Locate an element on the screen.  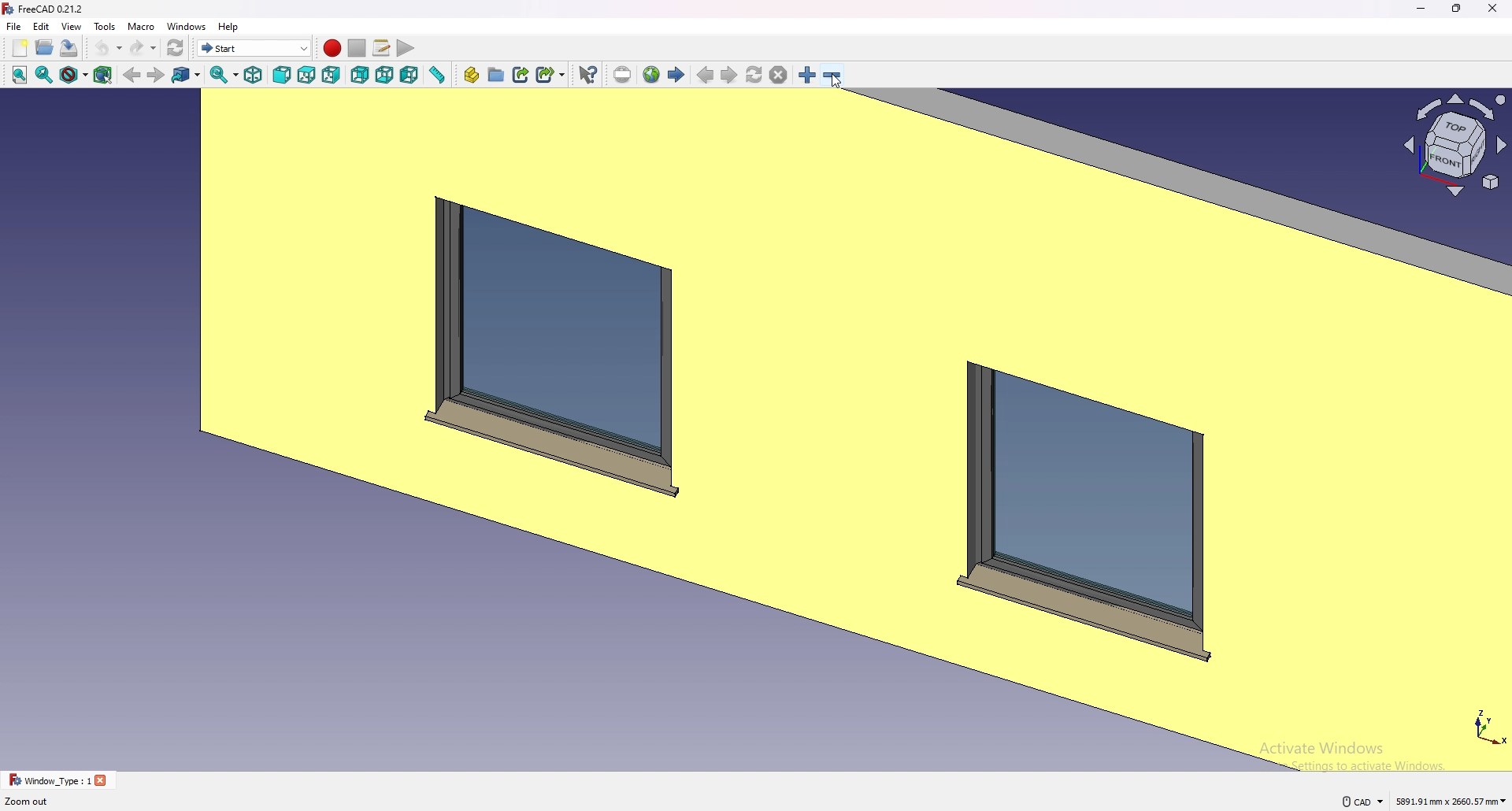
isometric is located at coordinates (253, 75).